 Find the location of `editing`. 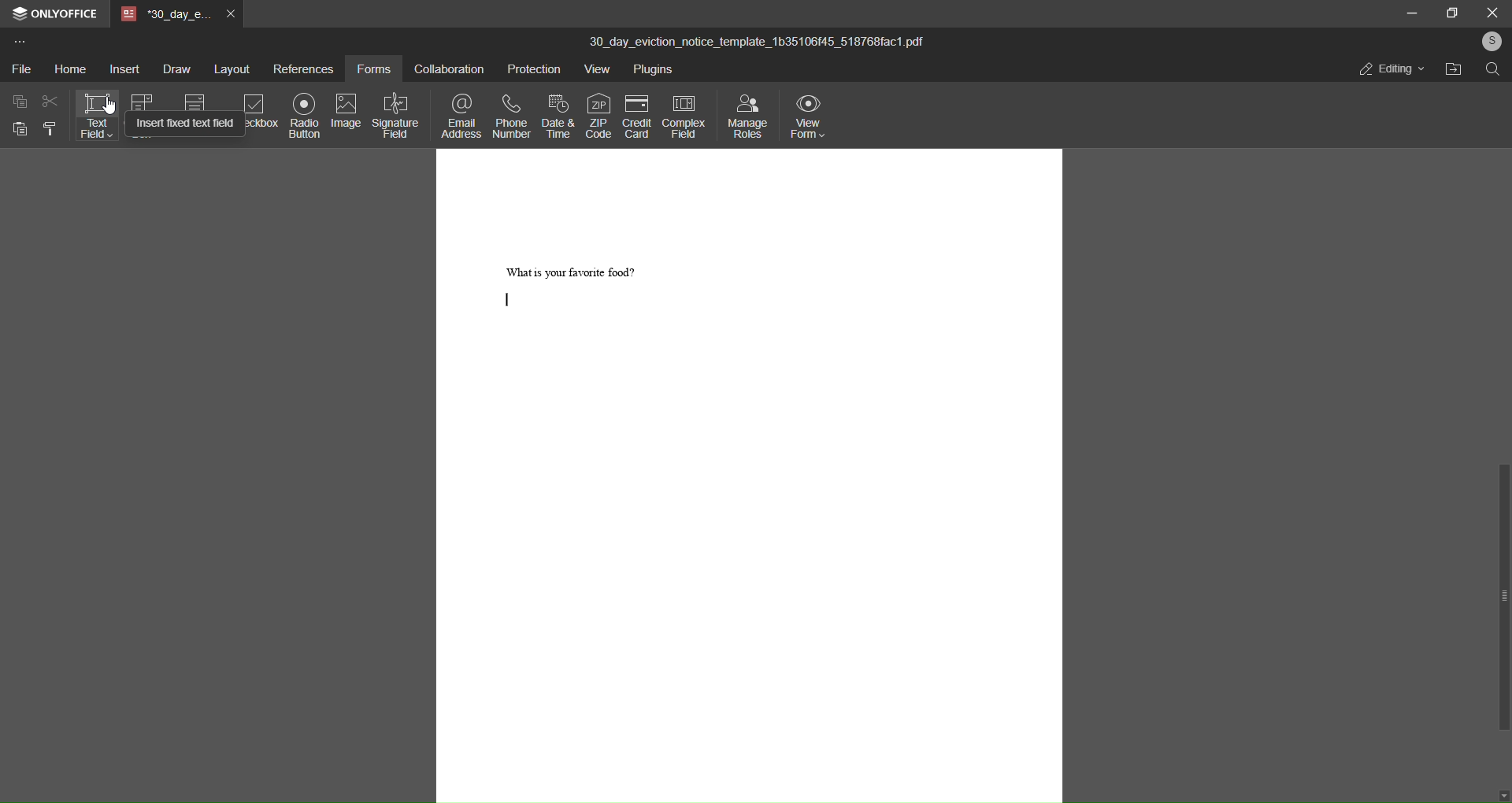

editing is located at coordinates (1389, 70).